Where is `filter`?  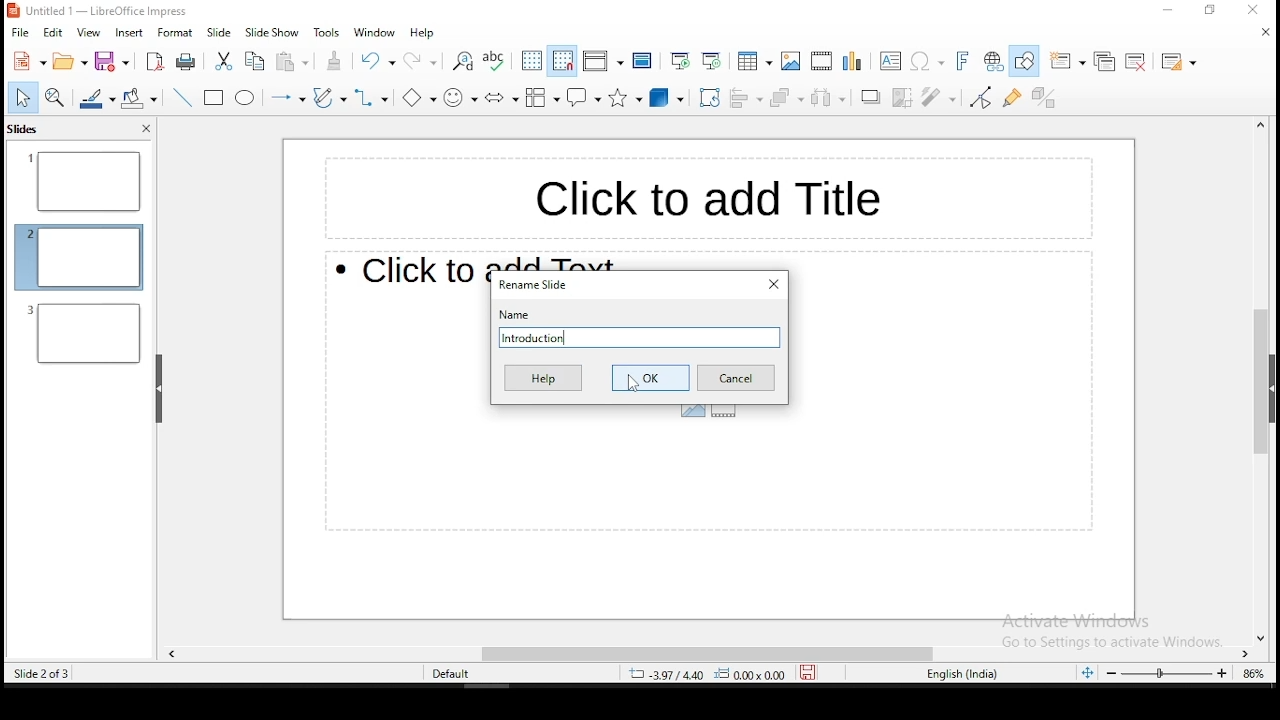 filter is located at coordinates (934, 94).